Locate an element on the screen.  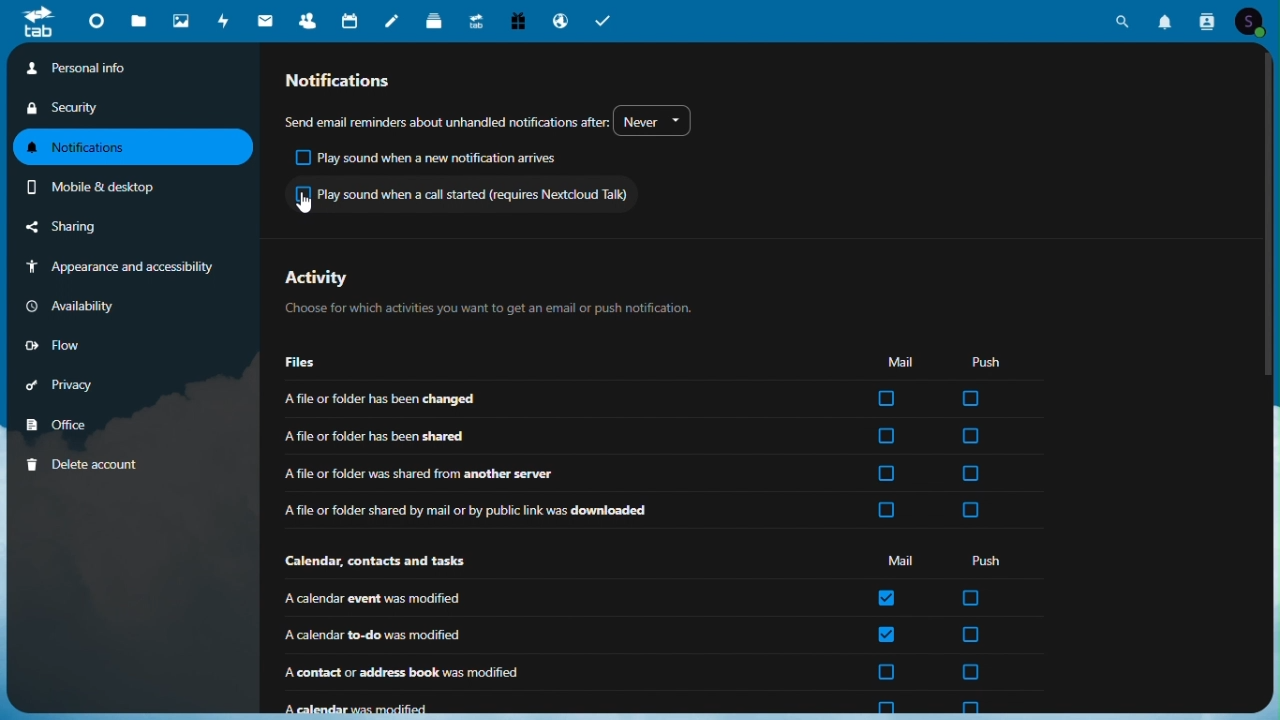
check box is located at coordinates (971, 634).